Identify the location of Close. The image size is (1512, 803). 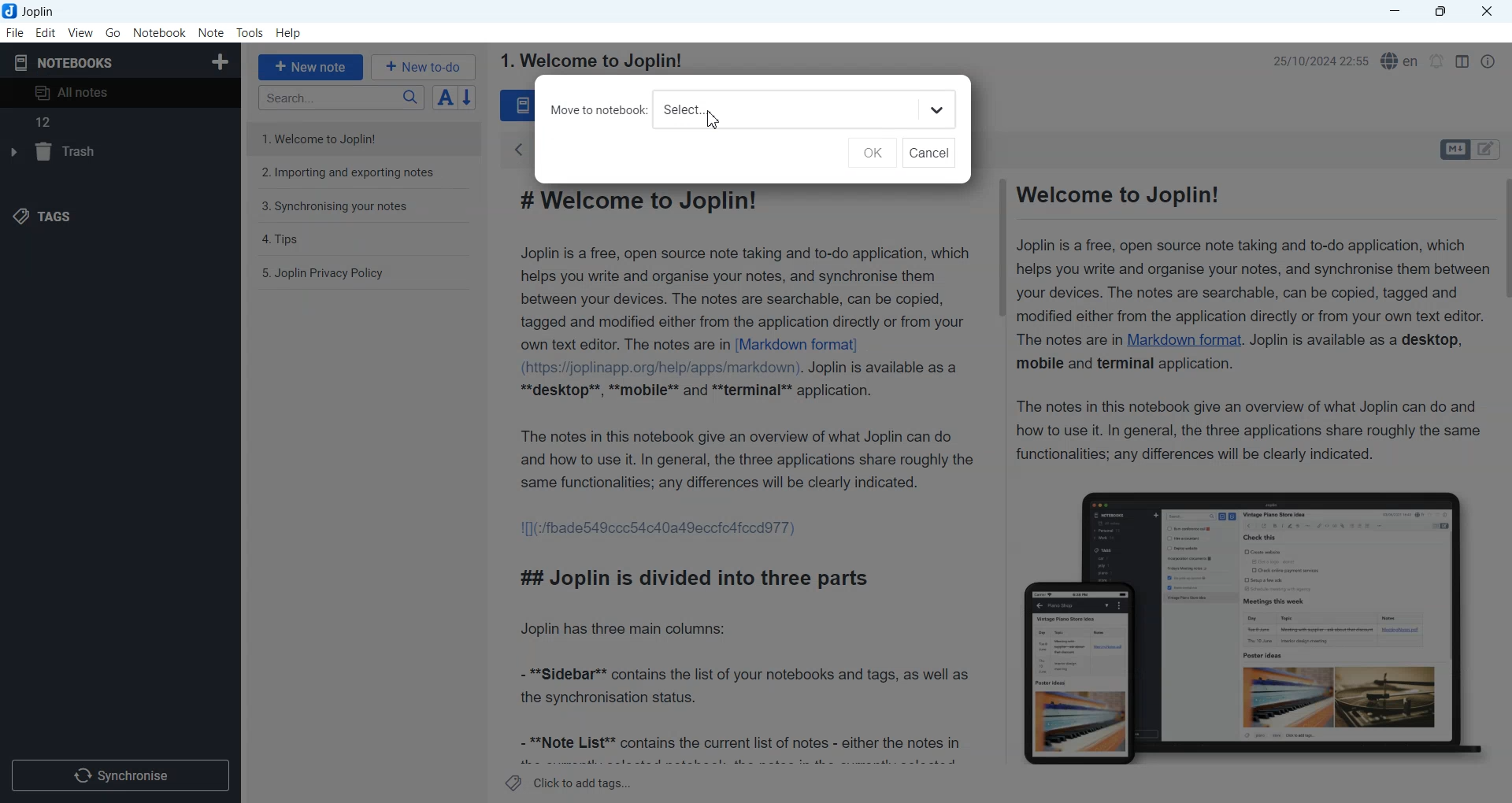
(1485, 12).